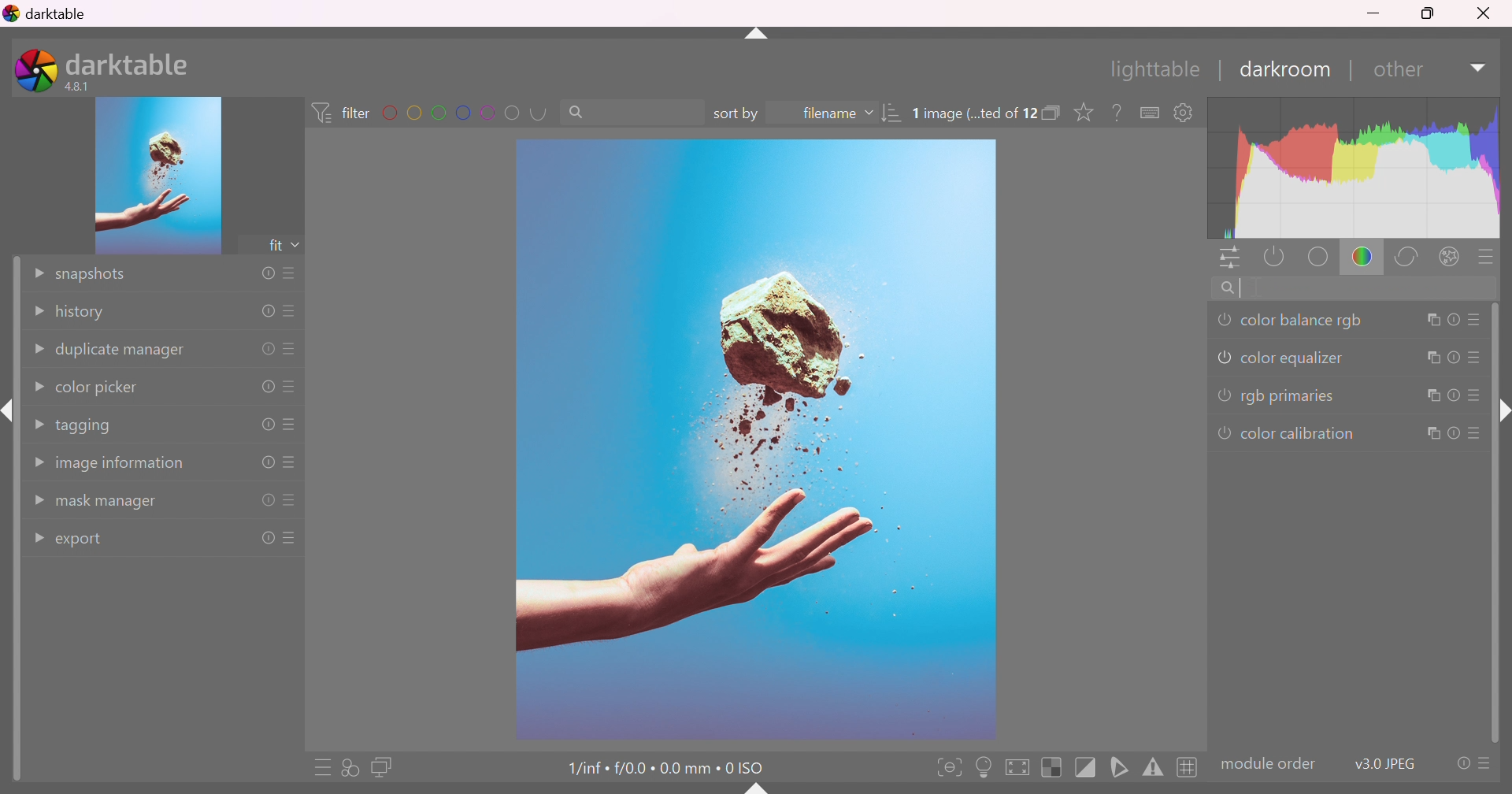 The width and height of the screenshot is (1512, 794). I want to click on sort by, so click(736, 114).